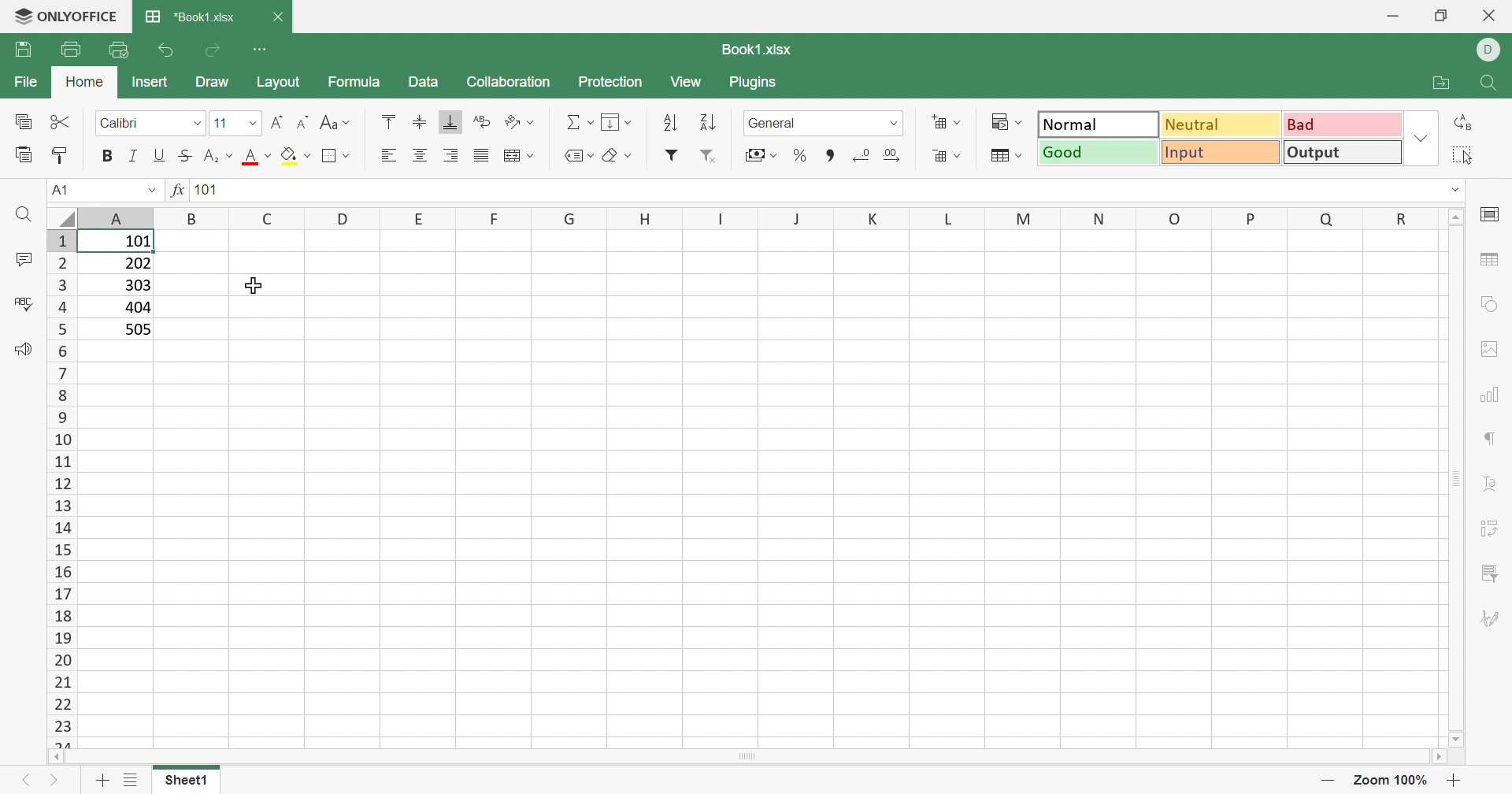 The width and height of the screenshot is (1512, 794). What do you see at coordinates (1491, 302) in the screenshot?
I see `shape settings` at bounding box center [1491, 302].